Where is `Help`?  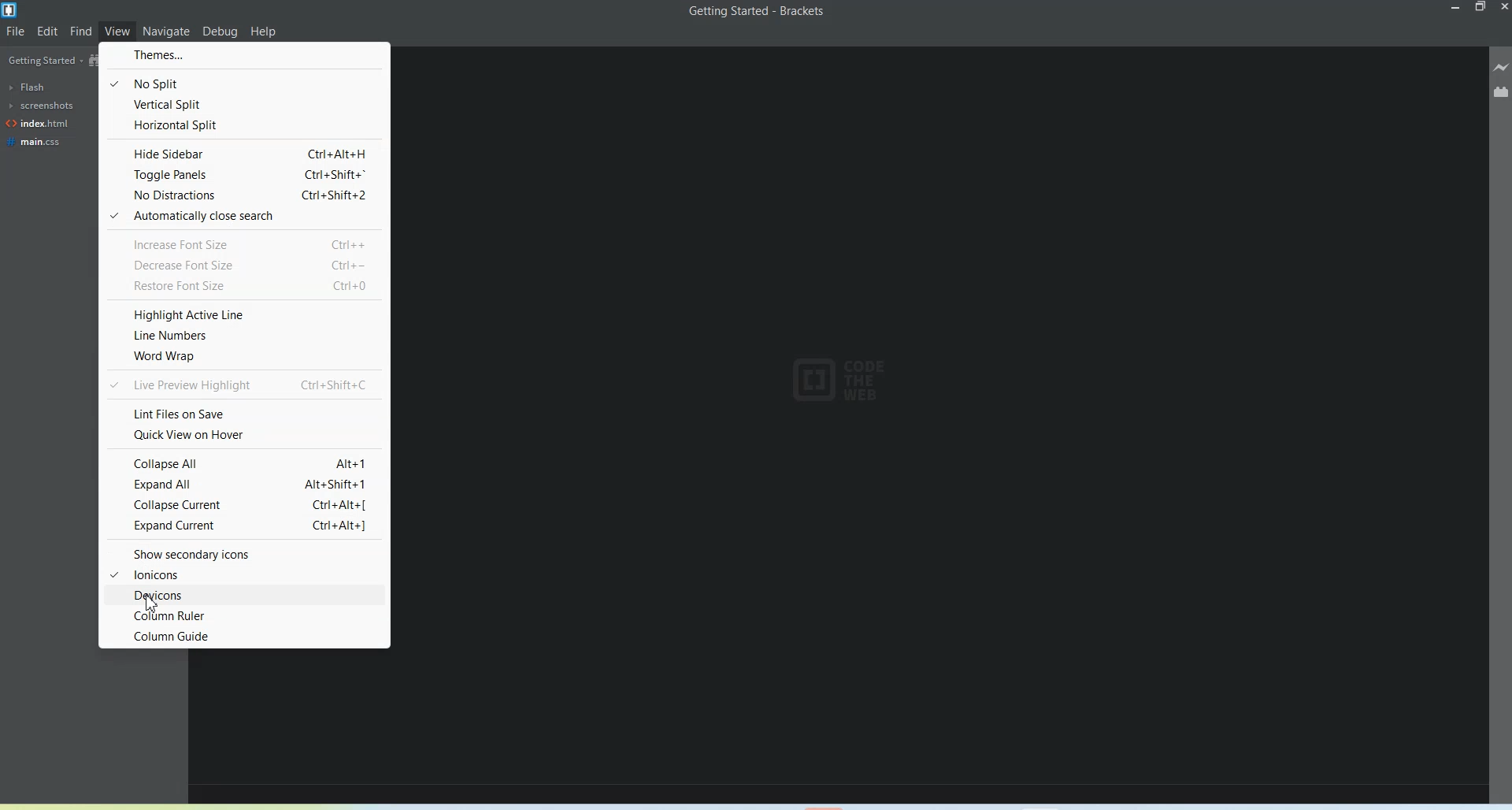
Help is located at coordinates (264, 32).